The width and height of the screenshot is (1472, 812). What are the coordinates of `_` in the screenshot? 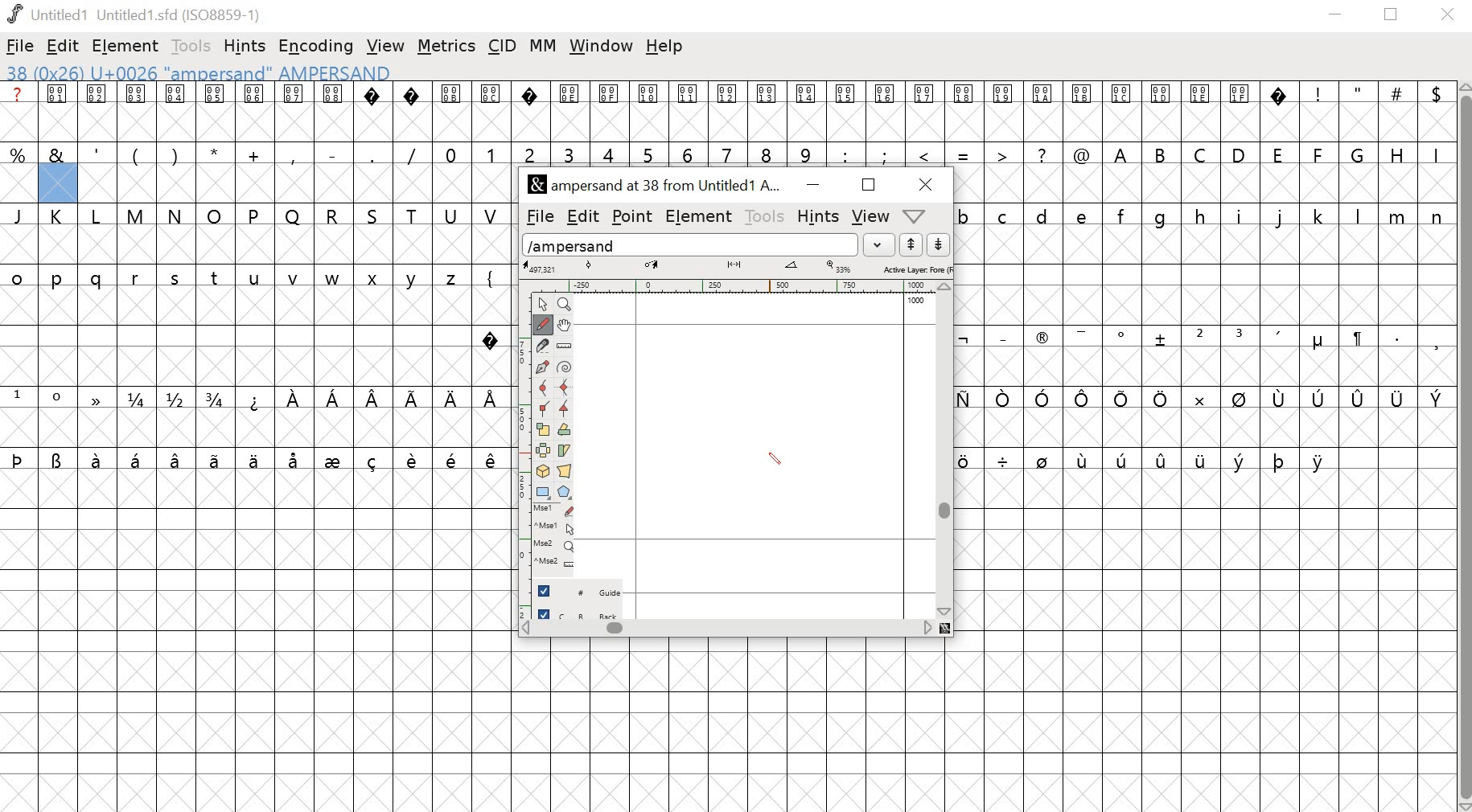 It's located at (1001, 337).